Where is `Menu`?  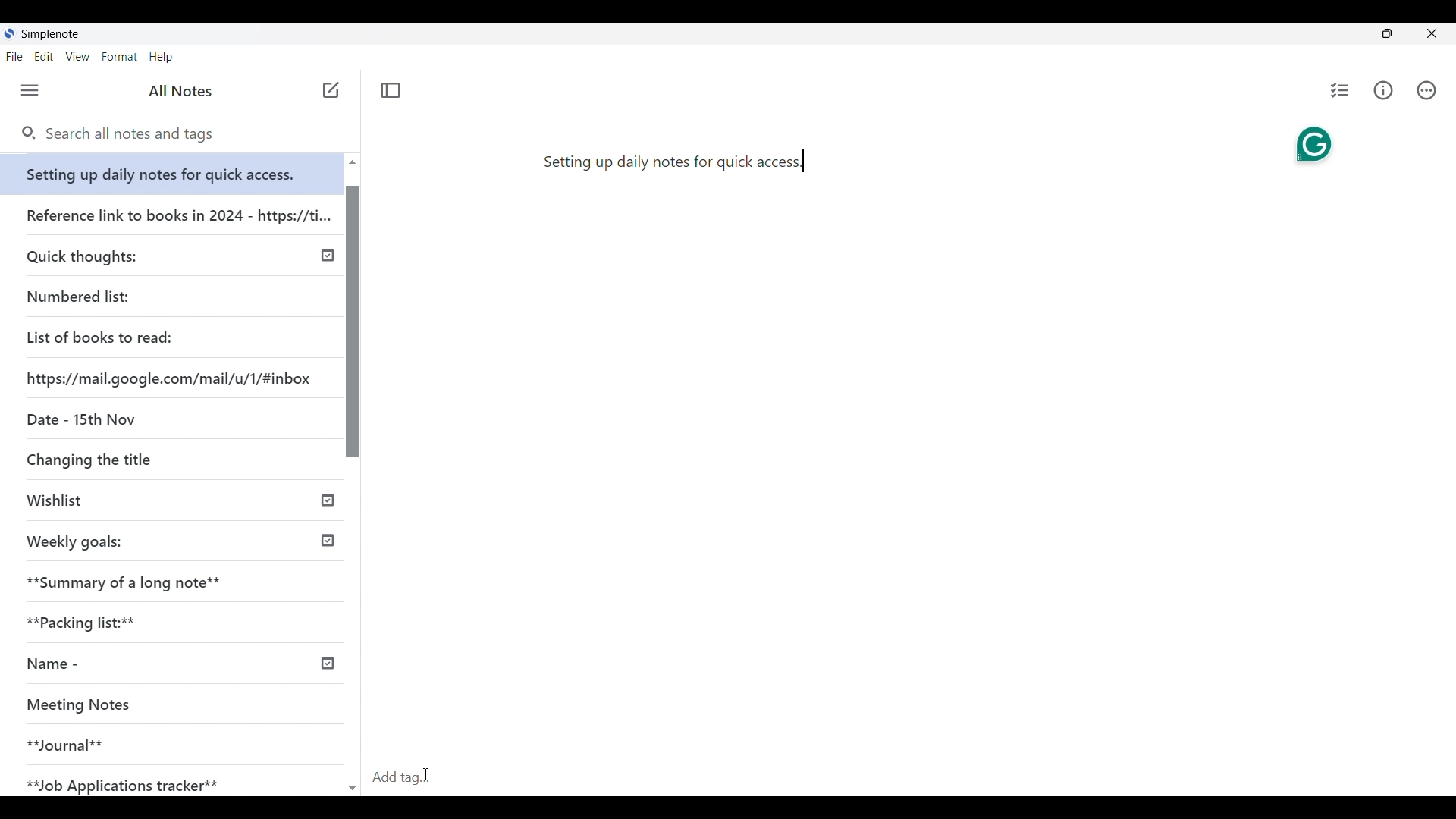 Menu is located at coordinates (30, 90).